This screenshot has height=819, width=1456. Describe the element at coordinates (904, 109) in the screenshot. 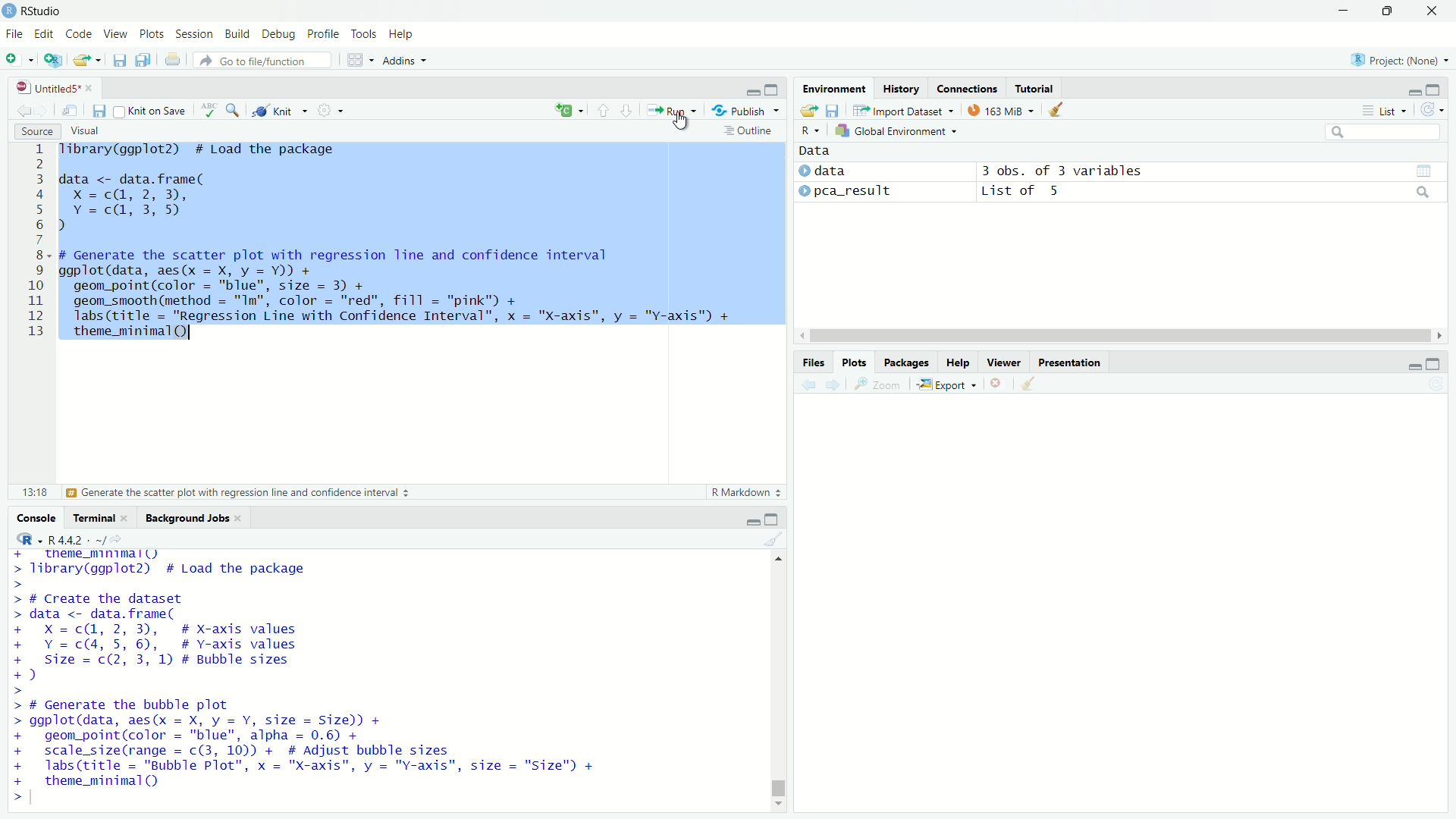

I see `Import Dataset` at that location.